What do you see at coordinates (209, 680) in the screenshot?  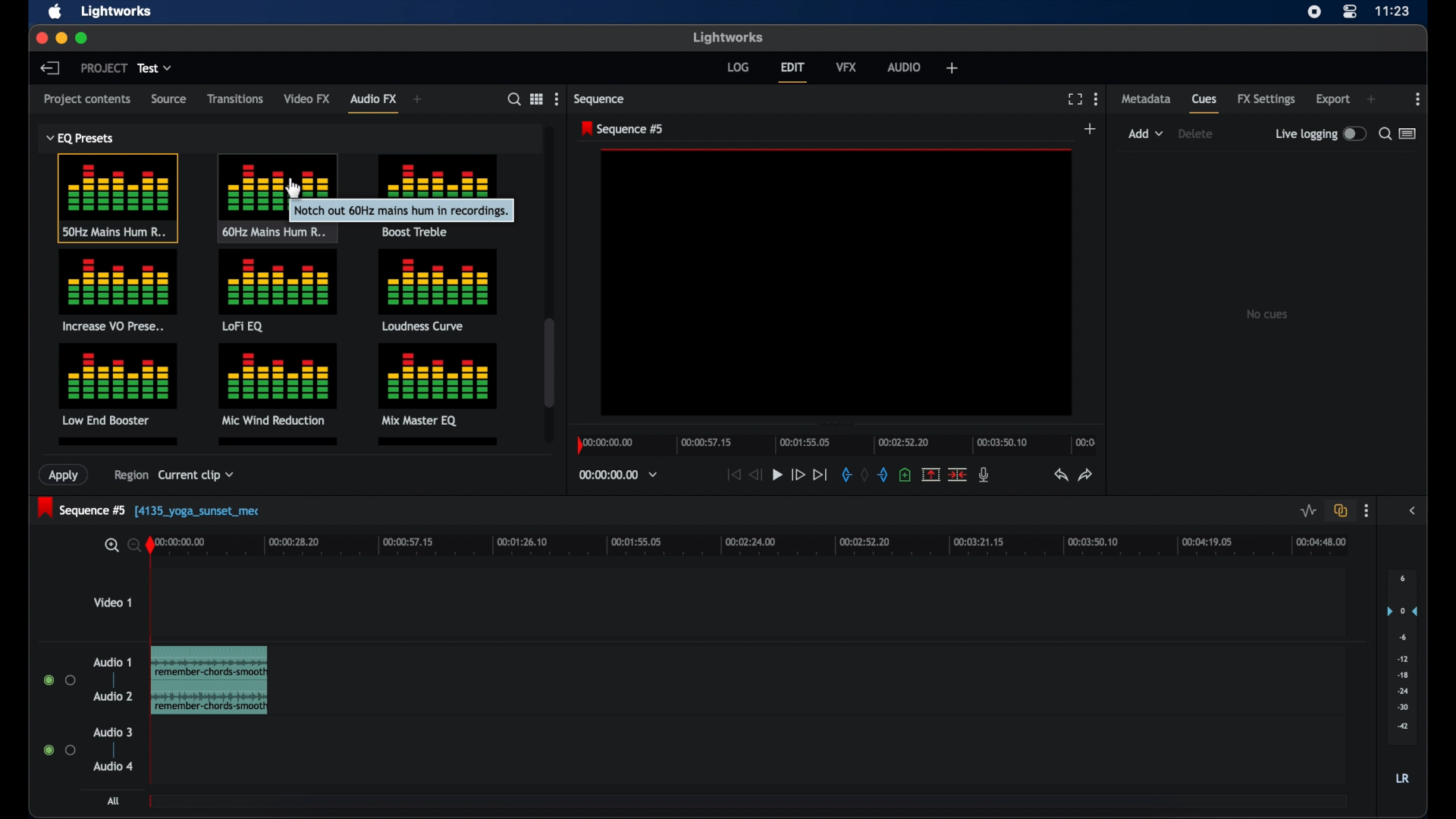 I see `video clip` at bounding box center [209, 680].